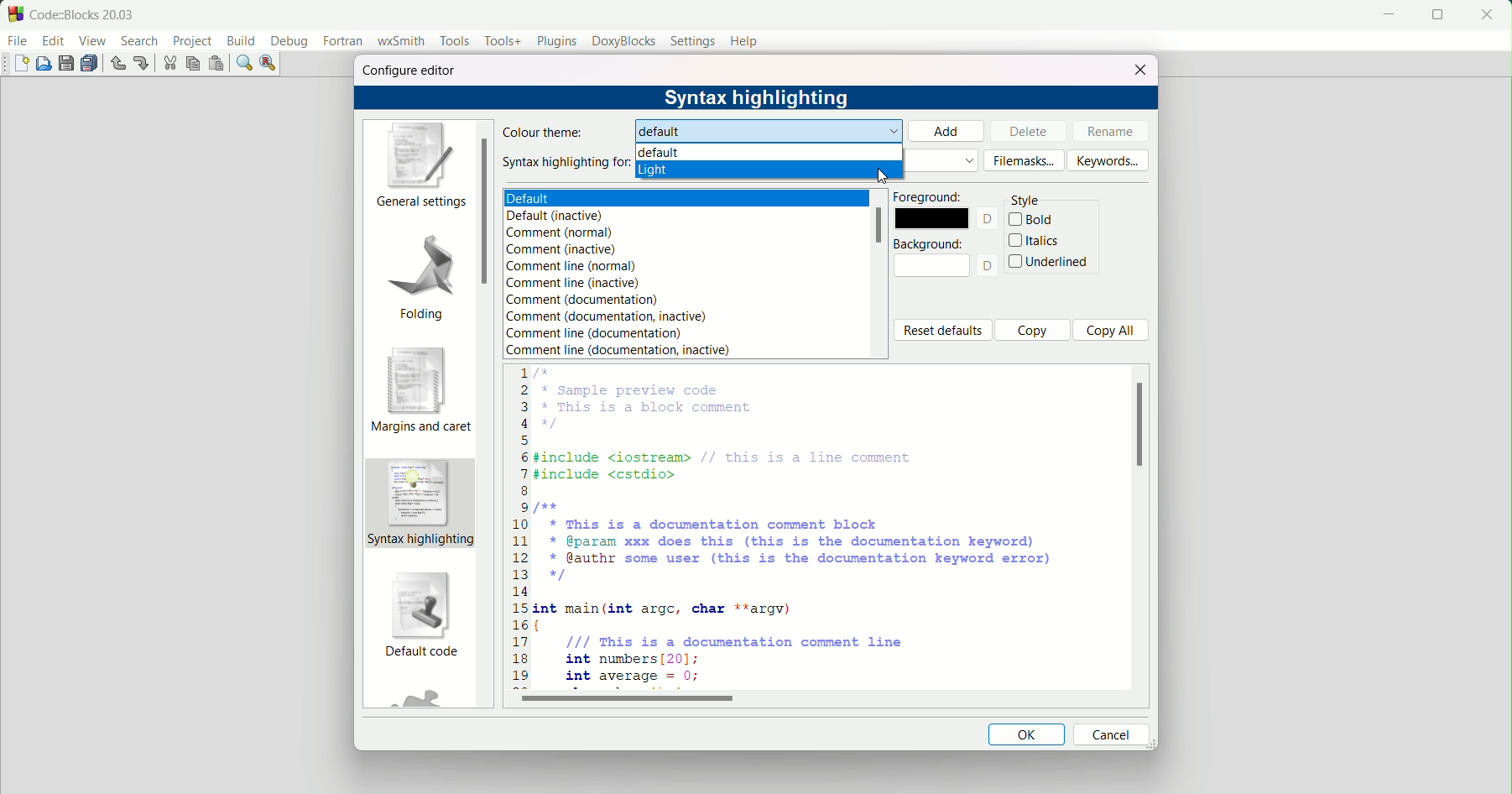  What do you see at coordinates (93, 41) in the screenshot?
I see `view` at bounding box center [93, 41].